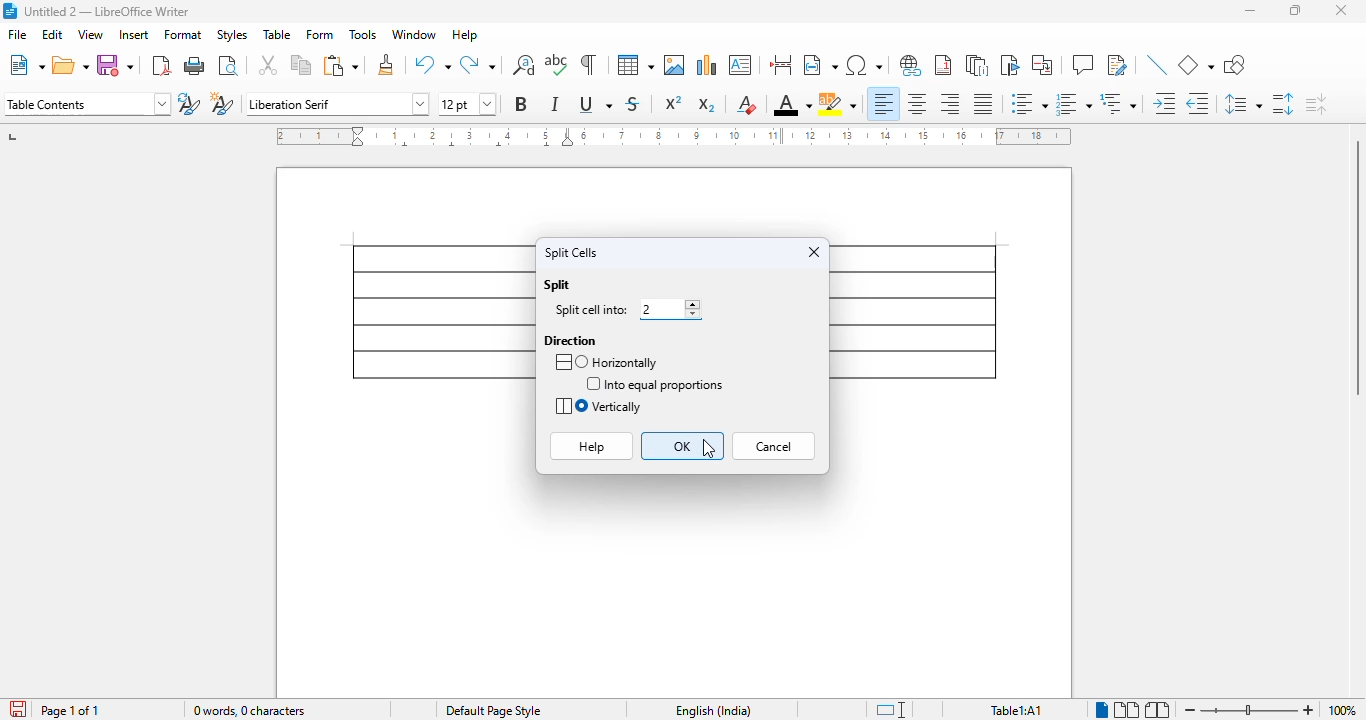 The image size is (1366, 720). I want to click on horizontally, so click(606, 362).